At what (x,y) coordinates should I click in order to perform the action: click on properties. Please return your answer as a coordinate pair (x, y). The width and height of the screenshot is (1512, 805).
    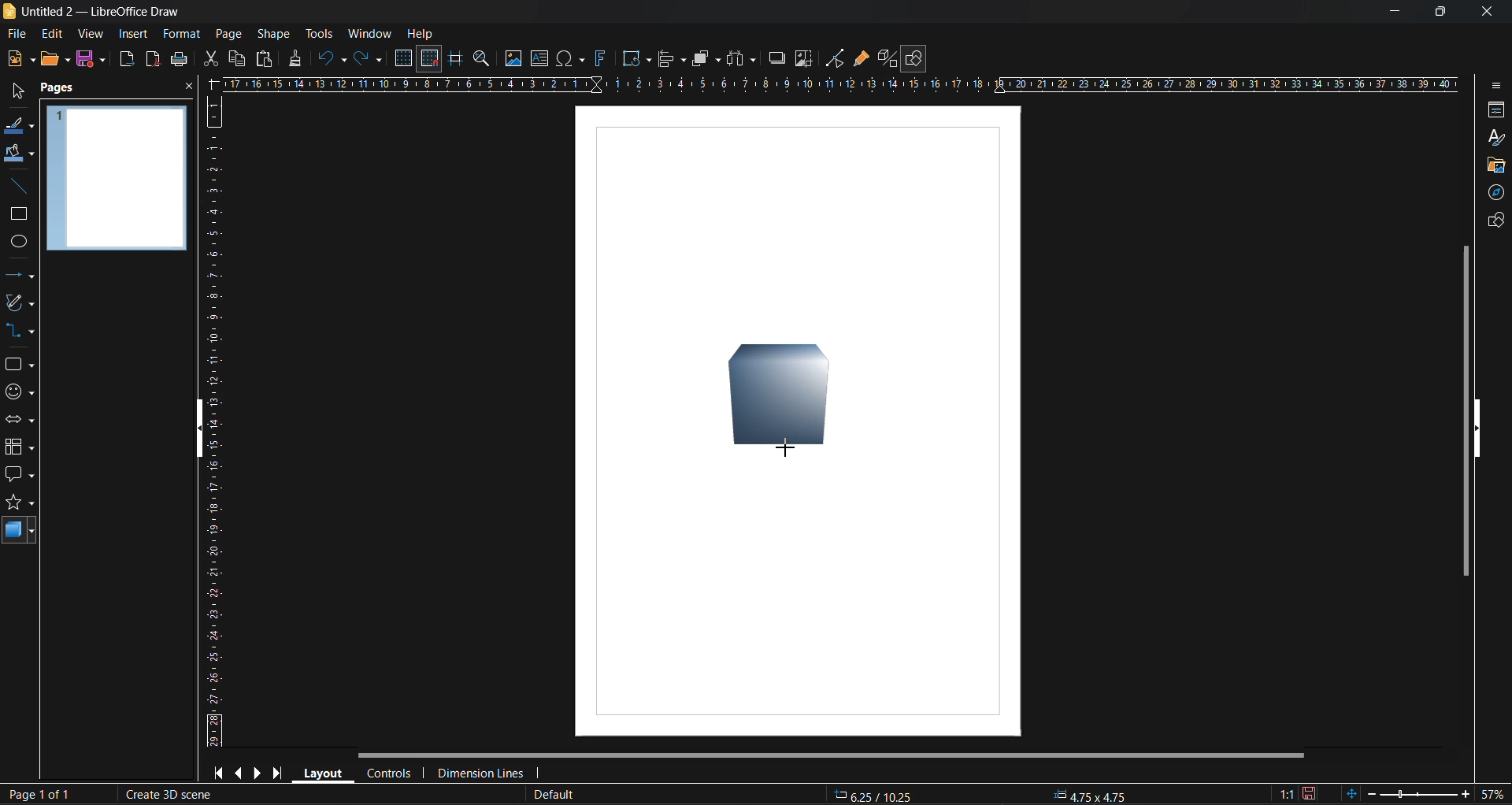
    Looking at the image, I should click on (1493, 111).